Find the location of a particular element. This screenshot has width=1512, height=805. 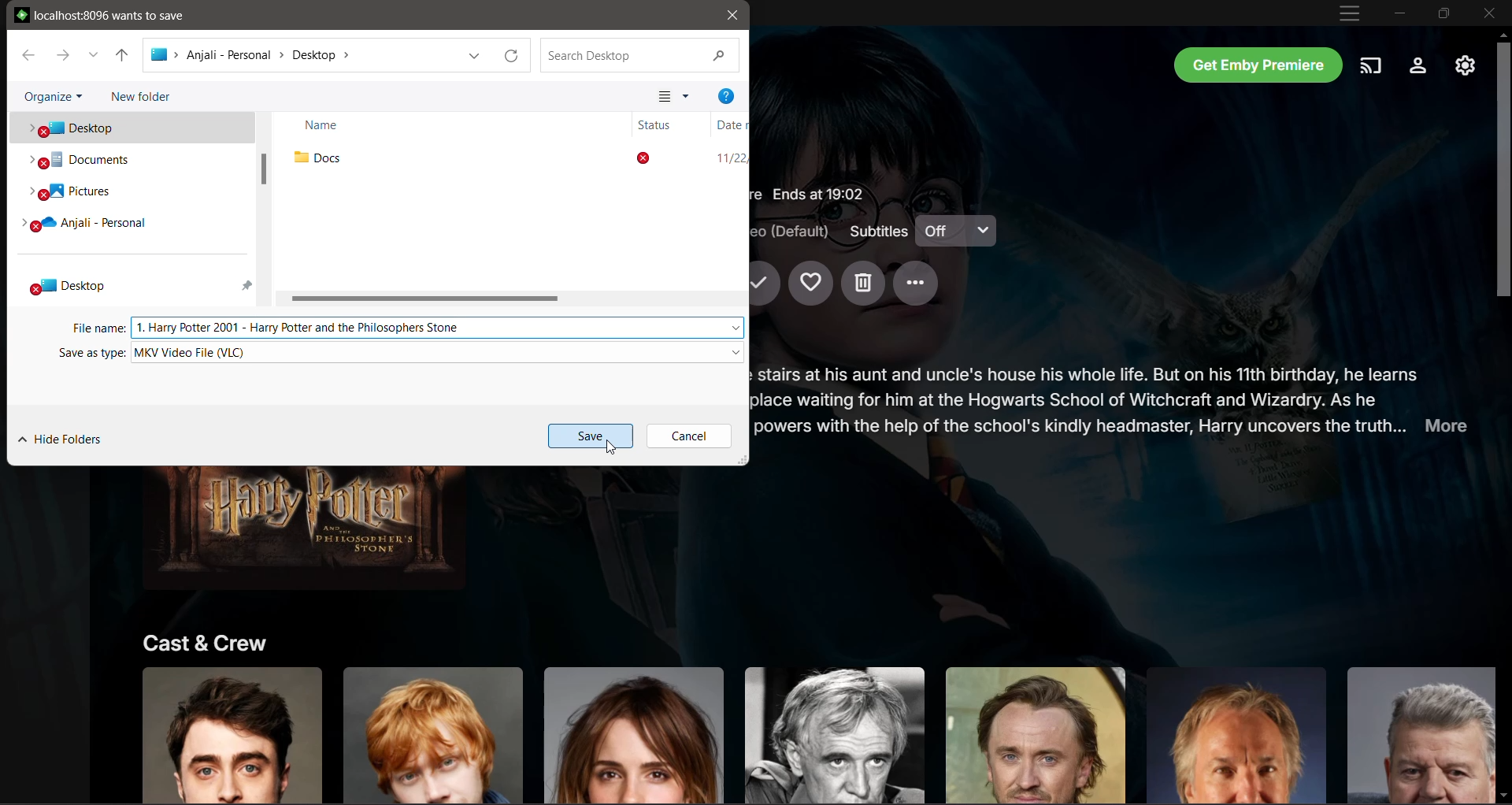

Folder is located at coordinates (316, 158).